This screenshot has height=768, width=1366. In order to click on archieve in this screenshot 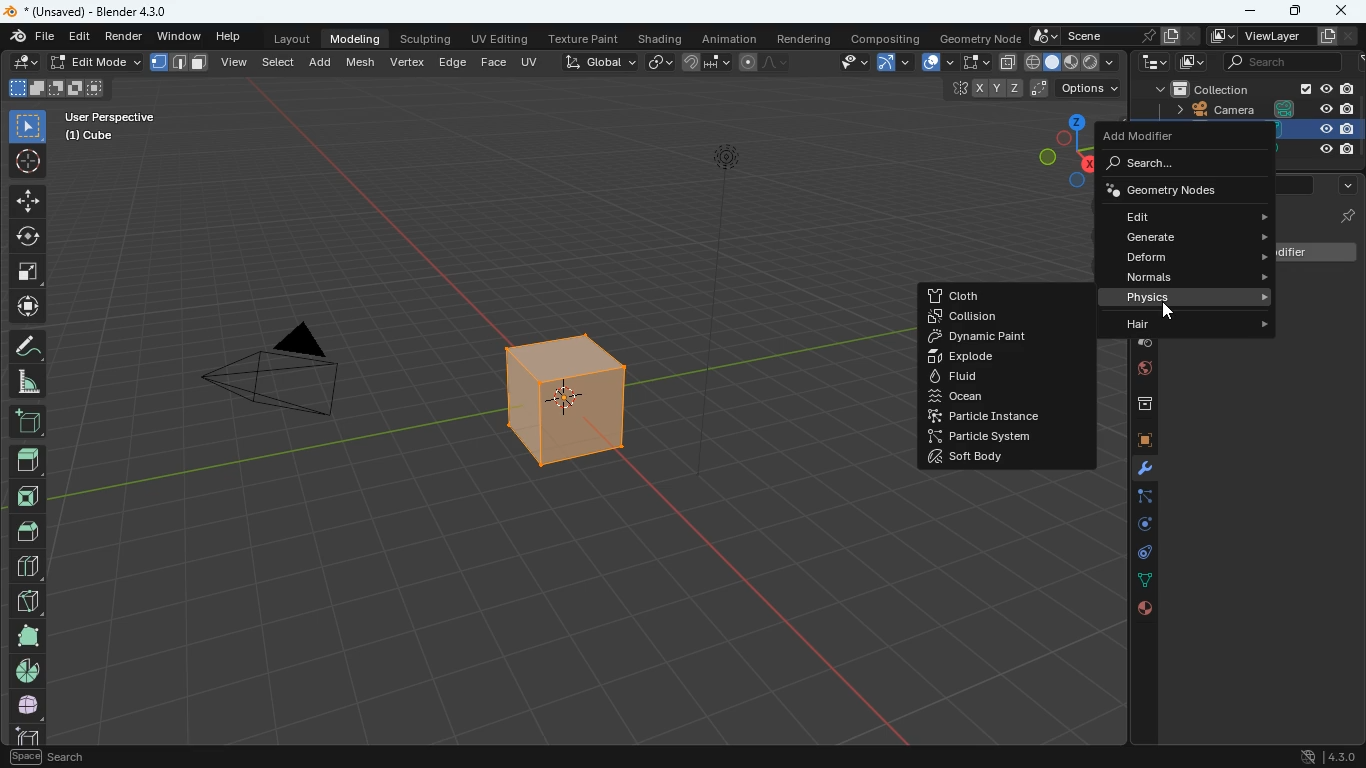, I will do `click(1137, 406)`.